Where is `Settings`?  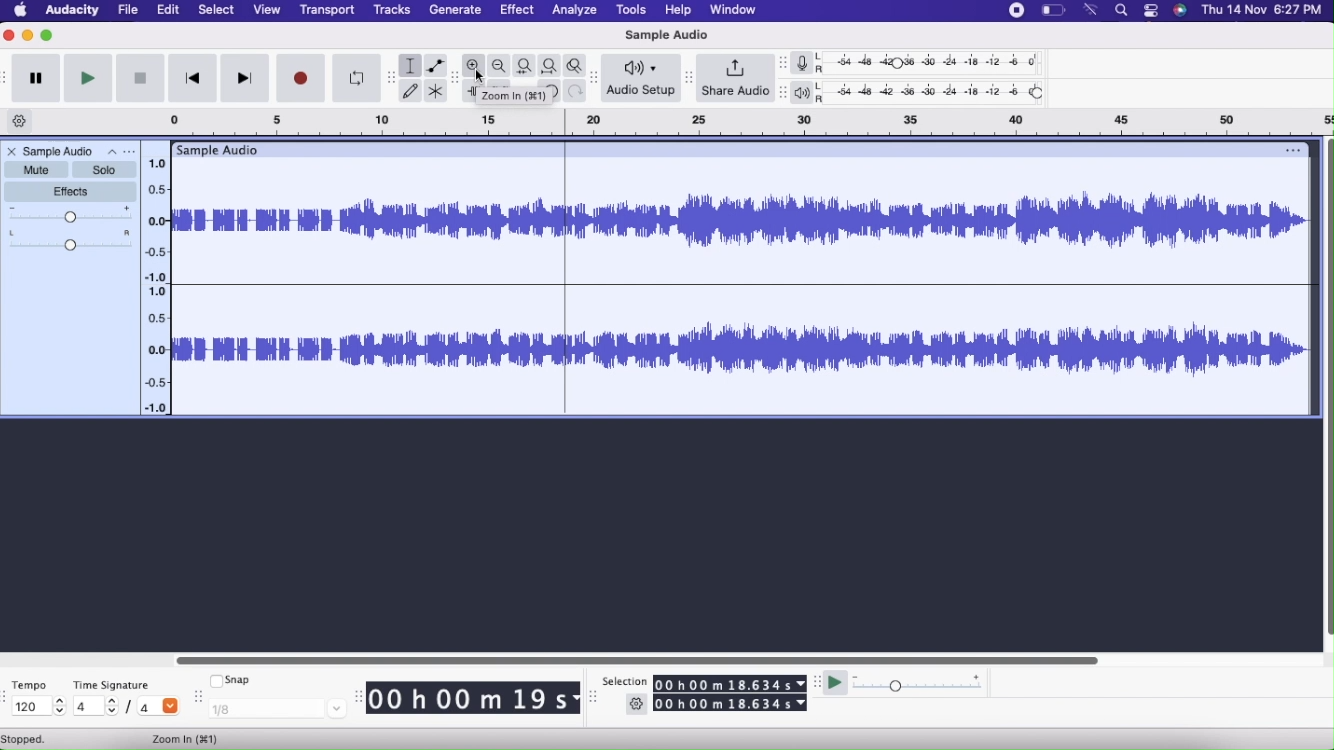
Settings is located at coordinates (637, 704).